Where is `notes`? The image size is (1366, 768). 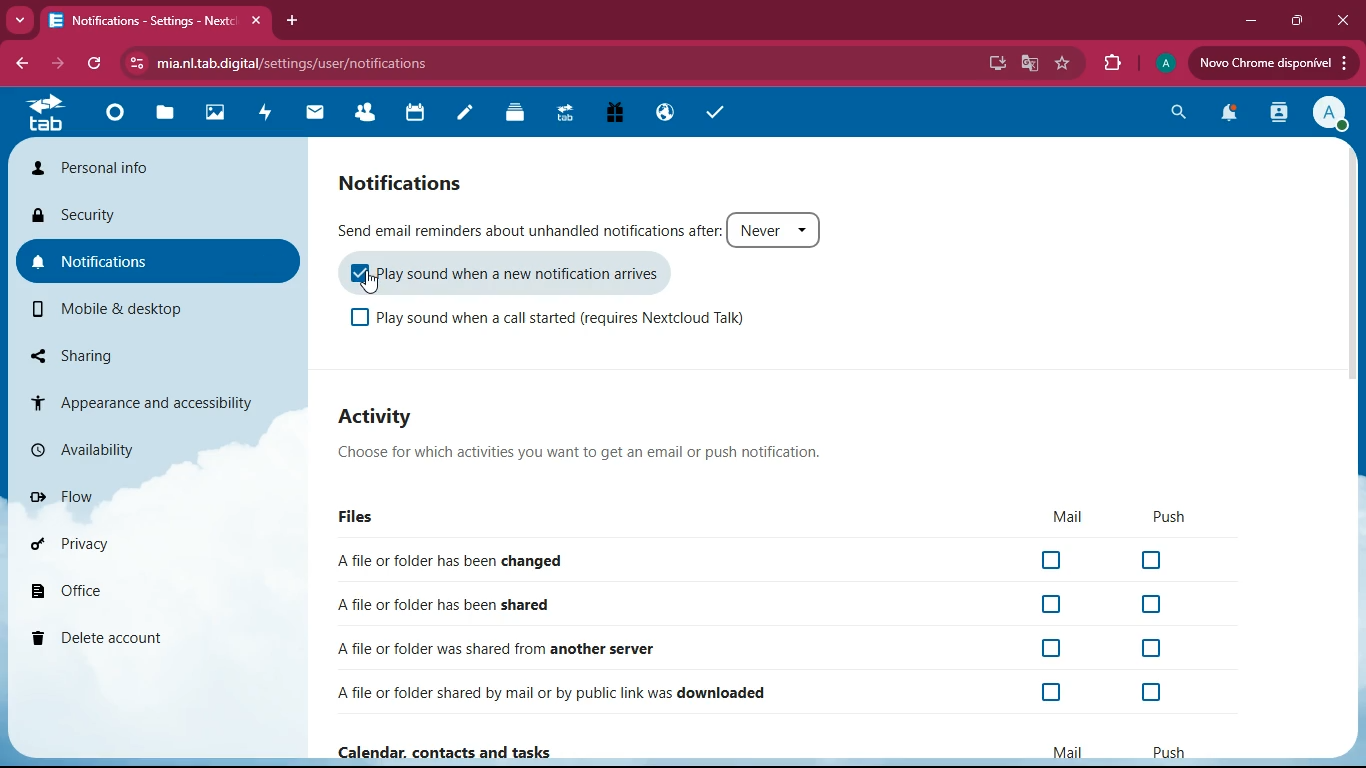
notes is located at coordinates (471, 115).